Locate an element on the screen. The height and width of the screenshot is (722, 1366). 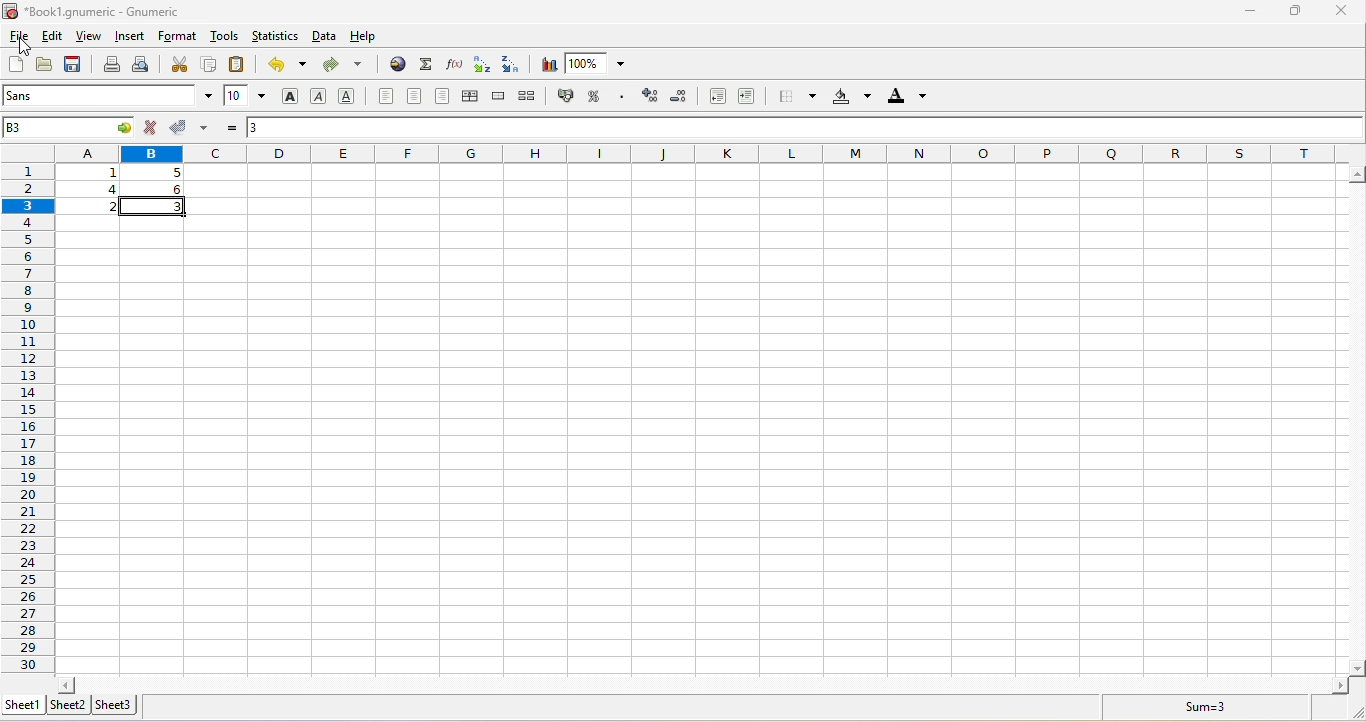
tools is located at coordinates (225, 38).